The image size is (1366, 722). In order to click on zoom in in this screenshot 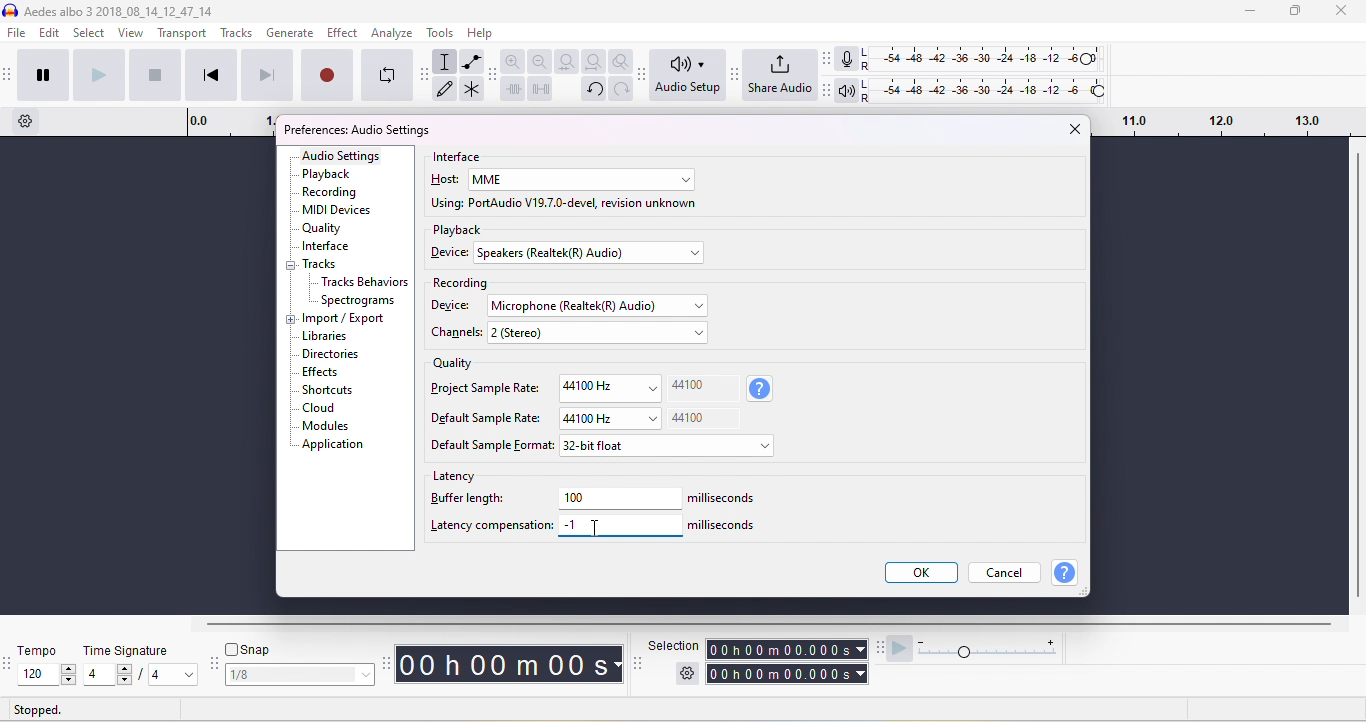, I will do `click(513, 61)`.